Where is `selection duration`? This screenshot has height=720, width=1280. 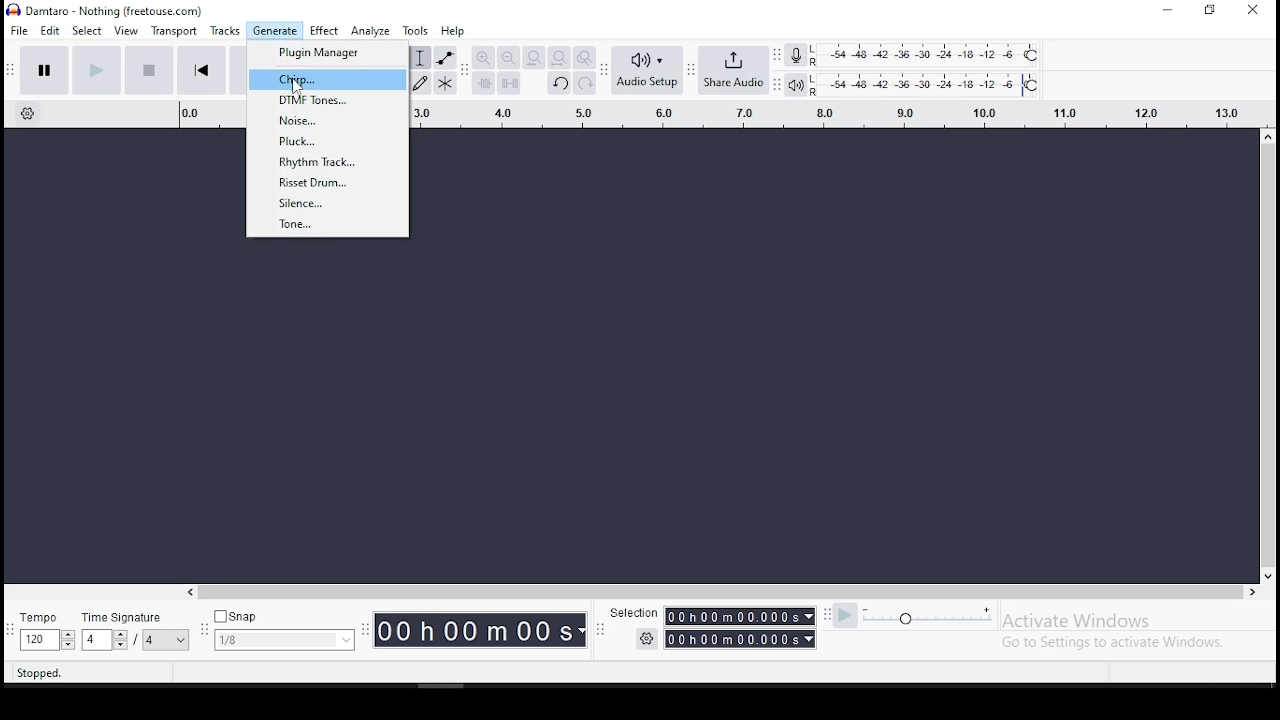
selection duration is located at coordinates (745, 625).